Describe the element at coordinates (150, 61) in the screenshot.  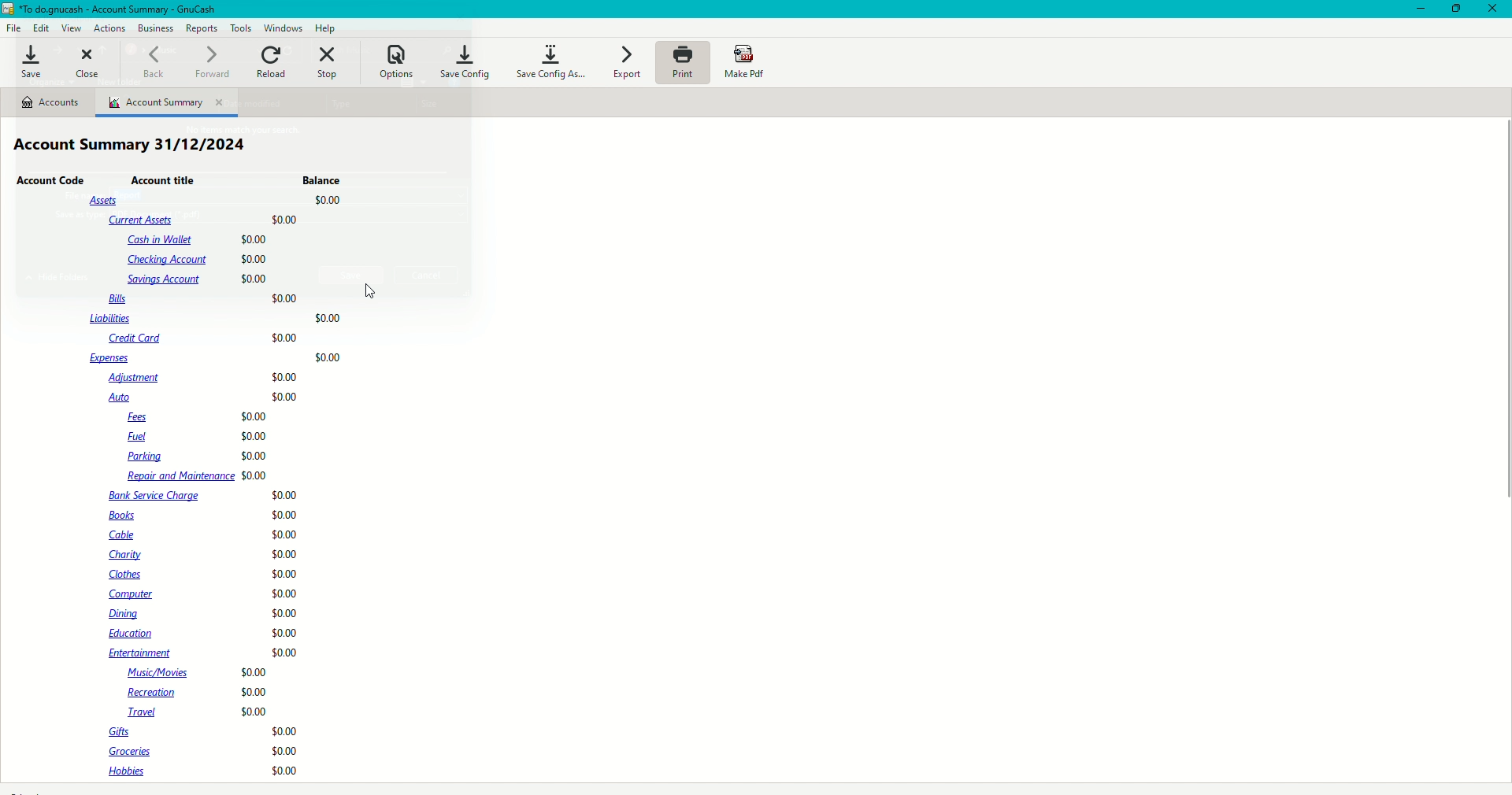
I see `Back` at that location.